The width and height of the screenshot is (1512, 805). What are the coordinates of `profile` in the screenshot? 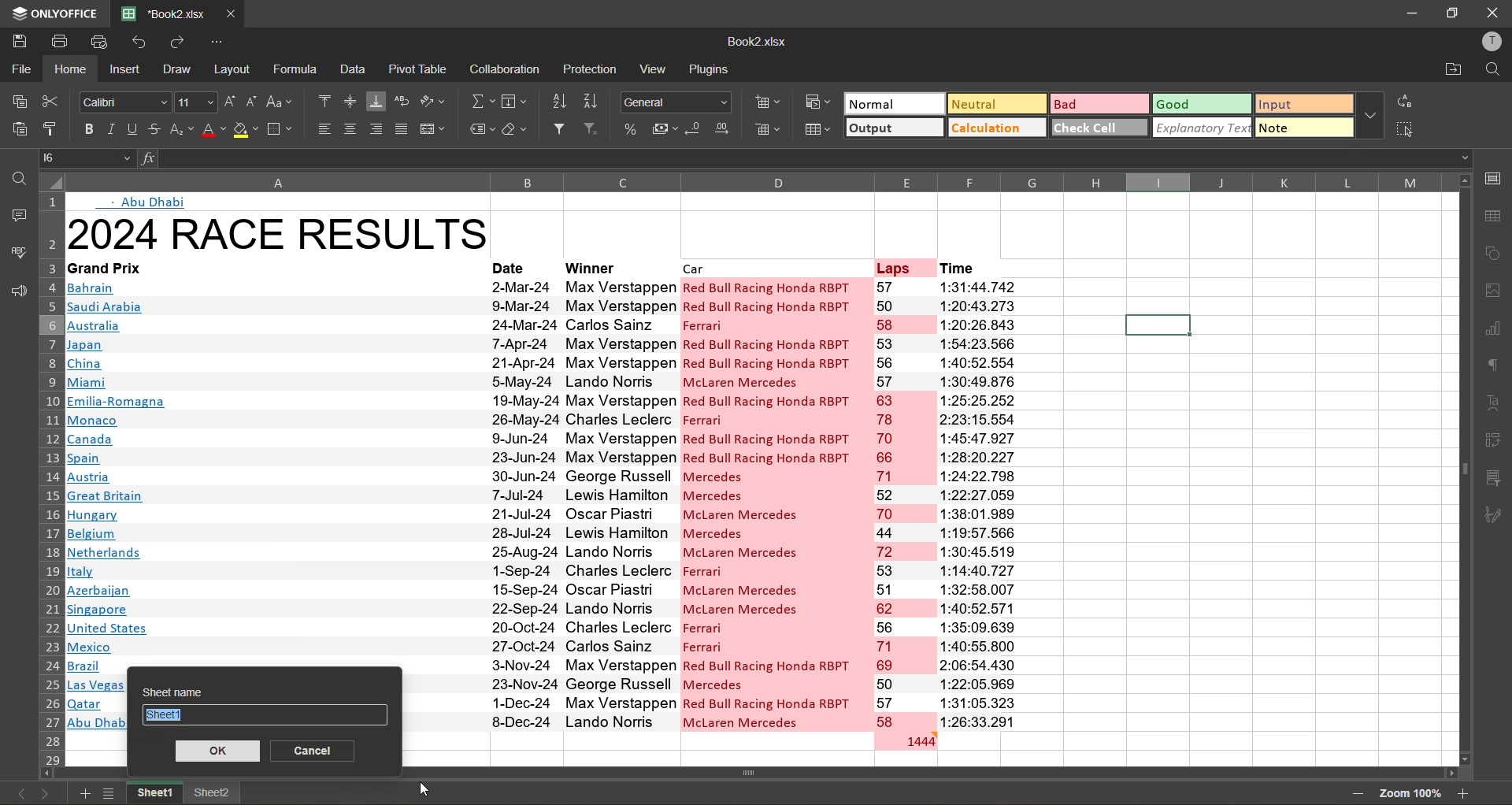 It's located at (1489, 44).